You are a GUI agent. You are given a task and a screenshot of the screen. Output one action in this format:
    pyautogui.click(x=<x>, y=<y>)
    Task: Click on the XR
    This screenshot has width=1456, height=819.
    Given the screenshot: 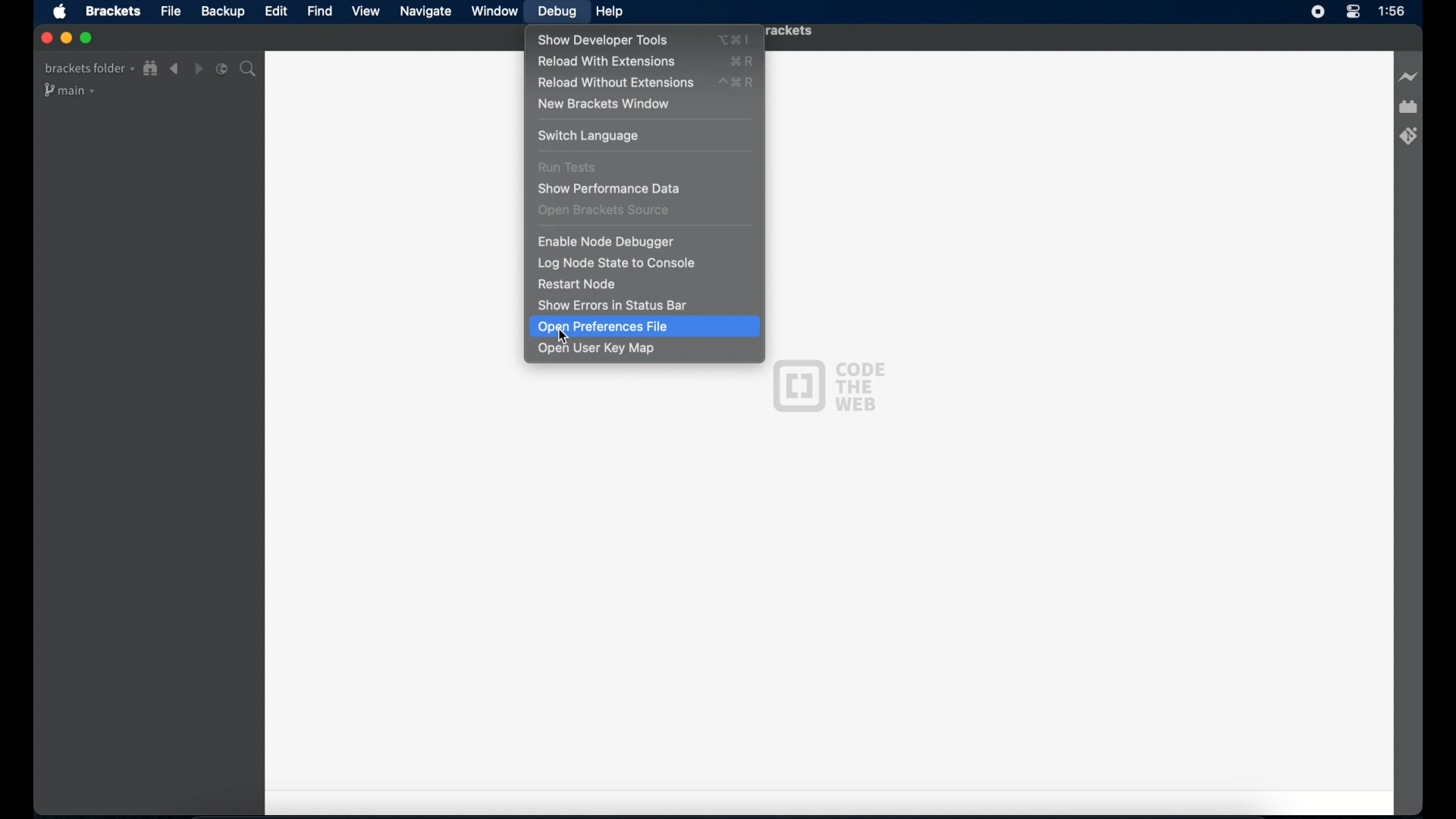 What is the action you would take?
    pyautogui.click(x=739, y=61)
    